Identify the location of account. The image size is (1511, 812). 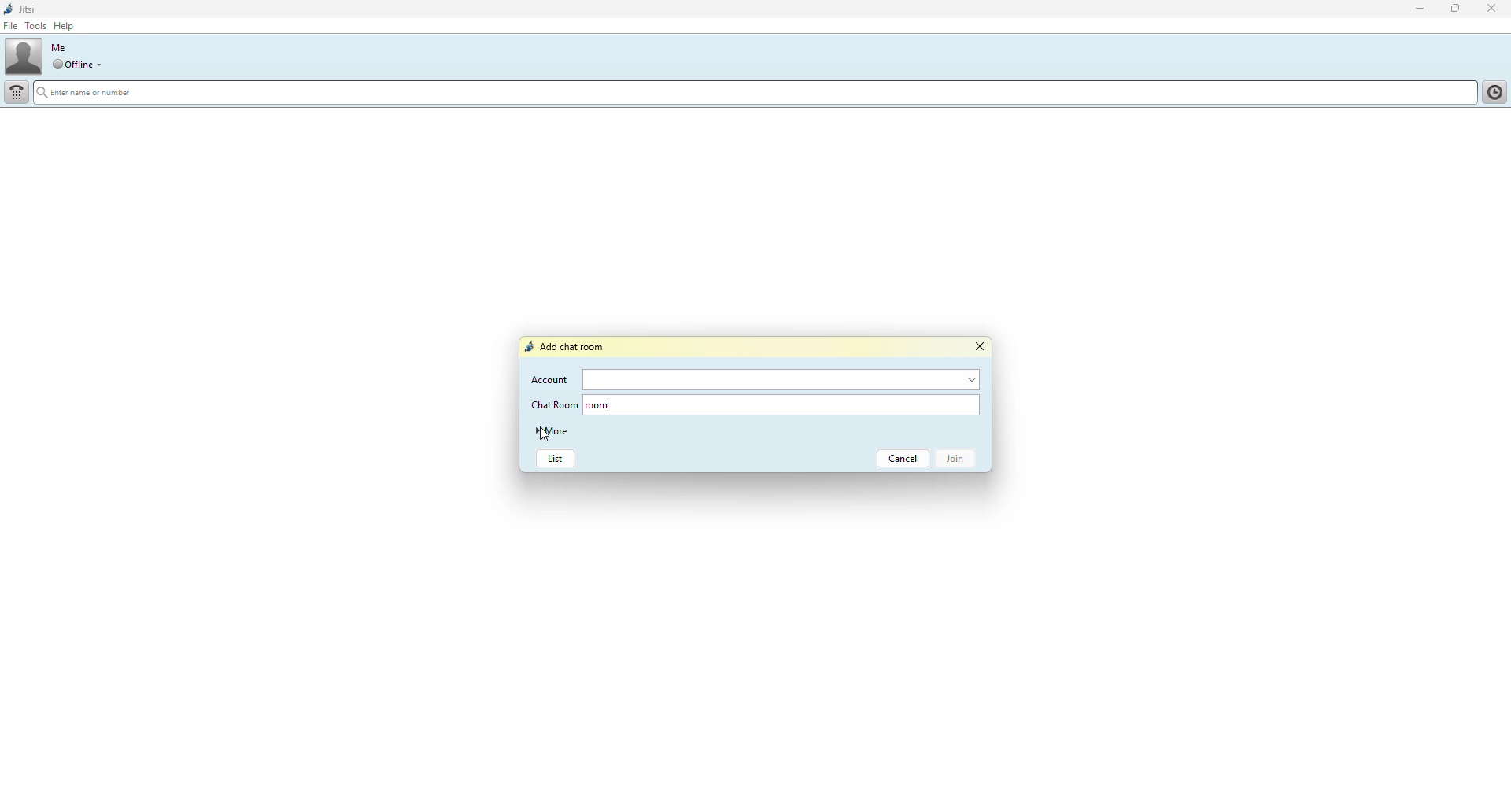
(781, 378).